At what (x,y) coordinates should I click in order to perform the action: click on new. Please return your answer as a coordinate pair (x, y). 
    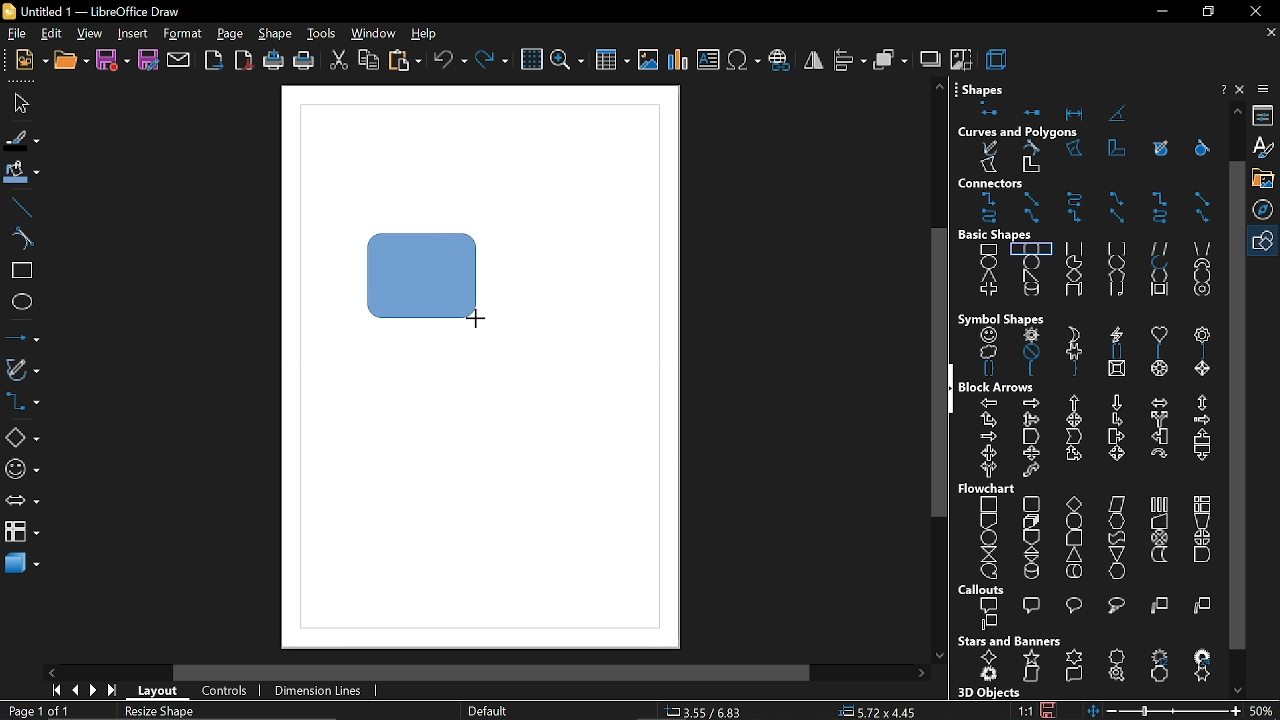
    Looking at the image, I should click on (27, 61).